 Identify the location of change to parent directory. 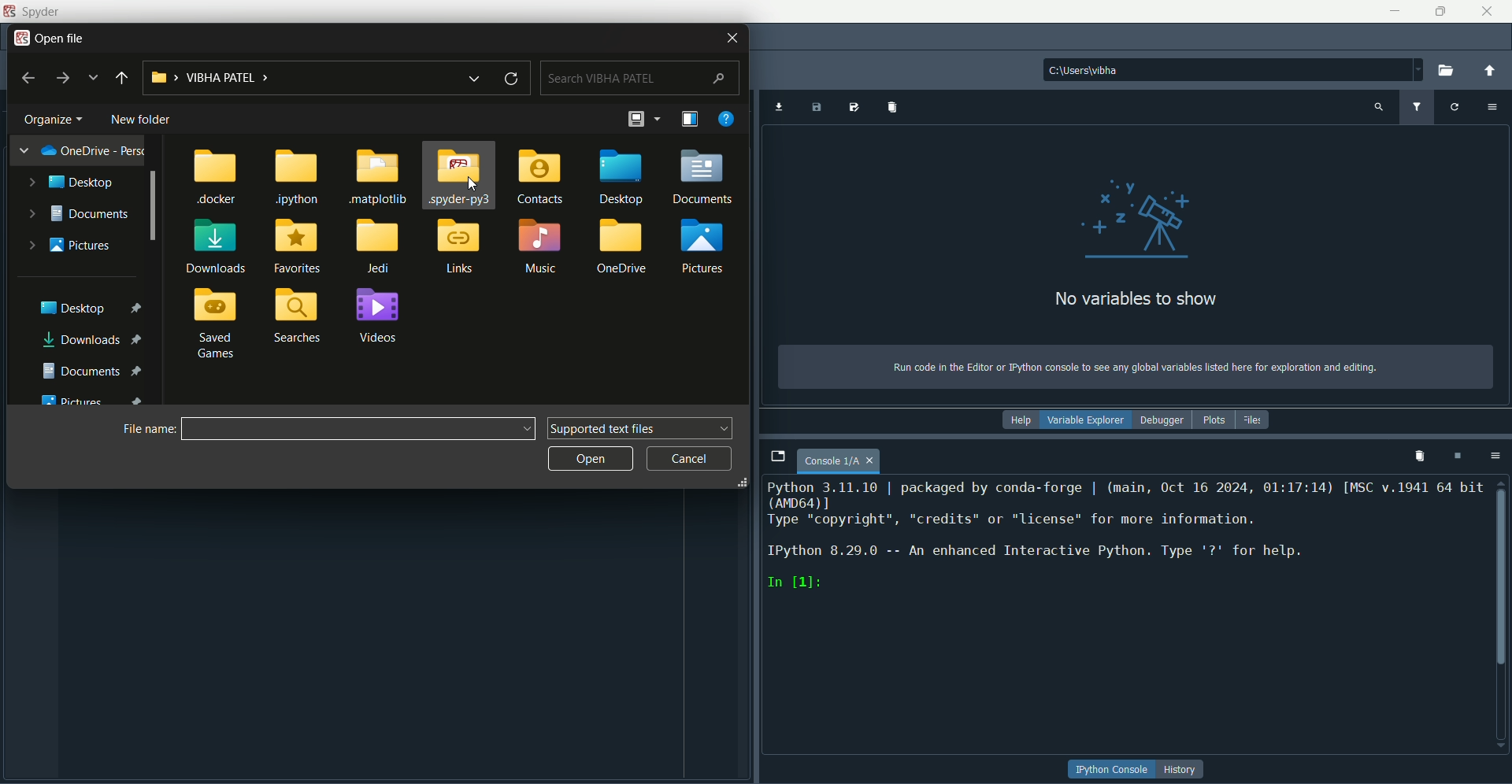
(1495, 72).